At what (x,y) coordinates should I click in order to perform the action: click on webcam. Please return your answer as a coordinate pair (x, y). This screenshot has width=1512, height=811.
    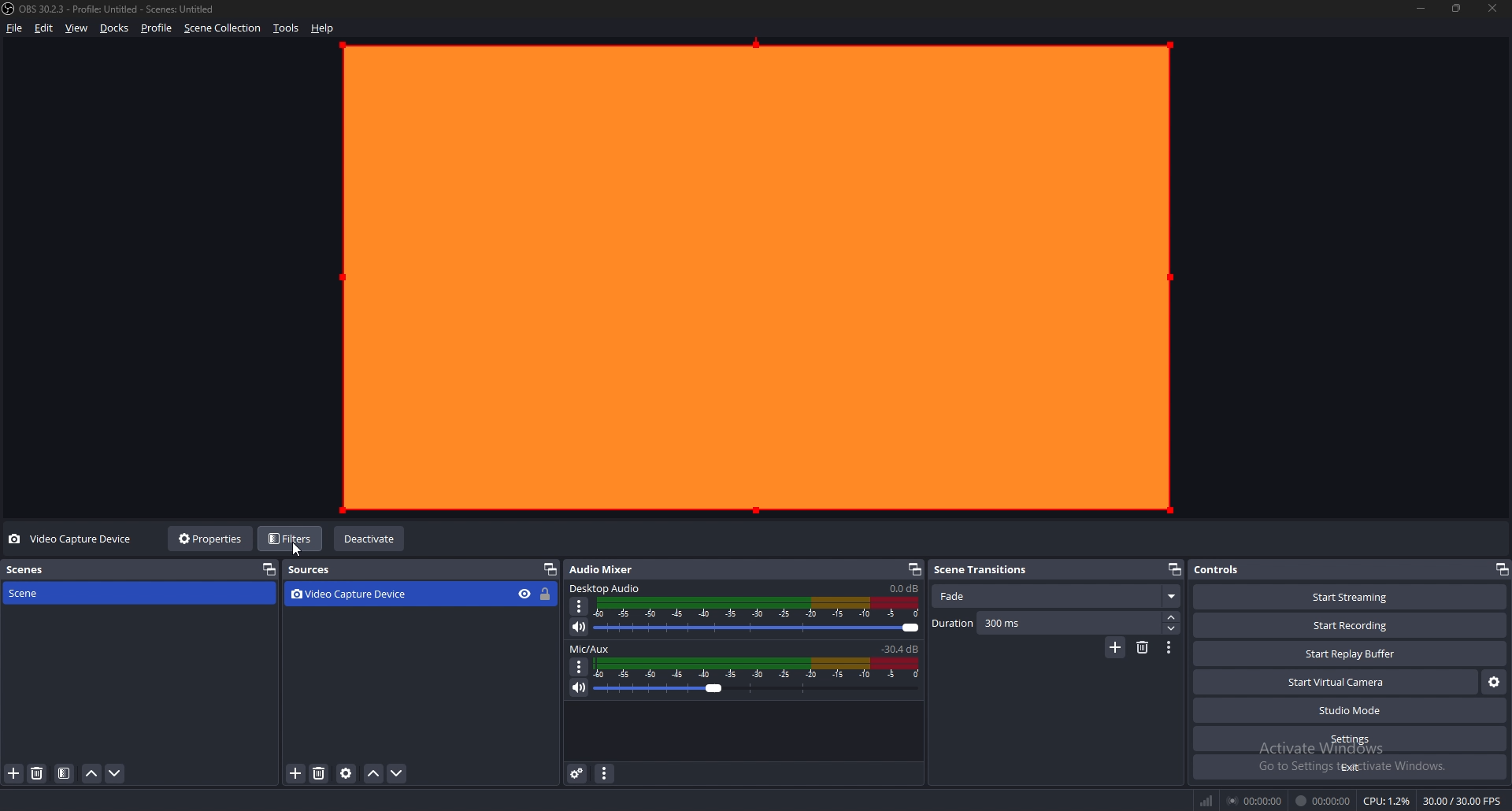
    Looking at the image, I should click on (754, 277).